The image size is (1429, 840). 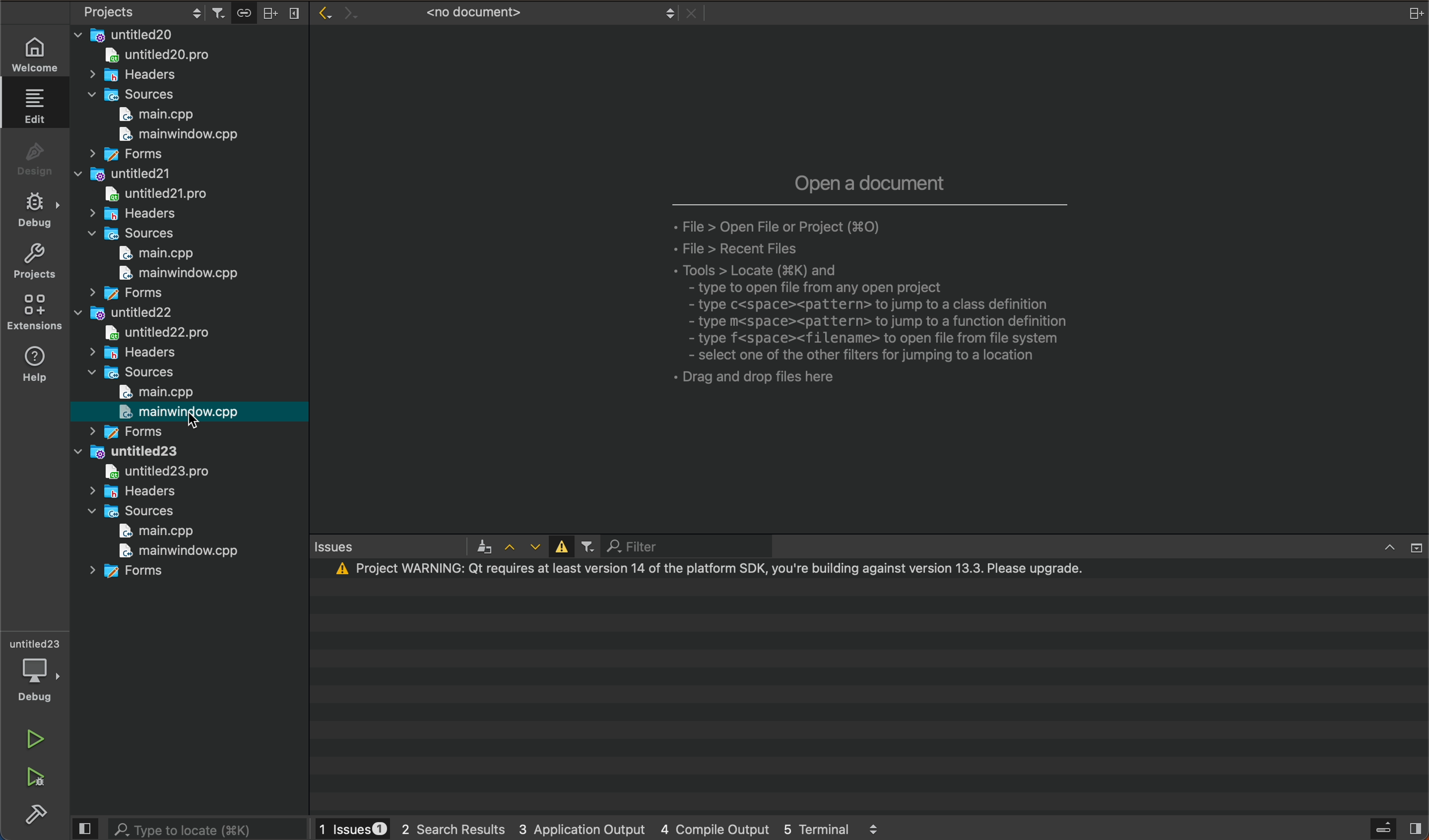 What do you see at coordinates (33, 813) in the screenshot?
I see `build ` at bounding box center [33, 813].